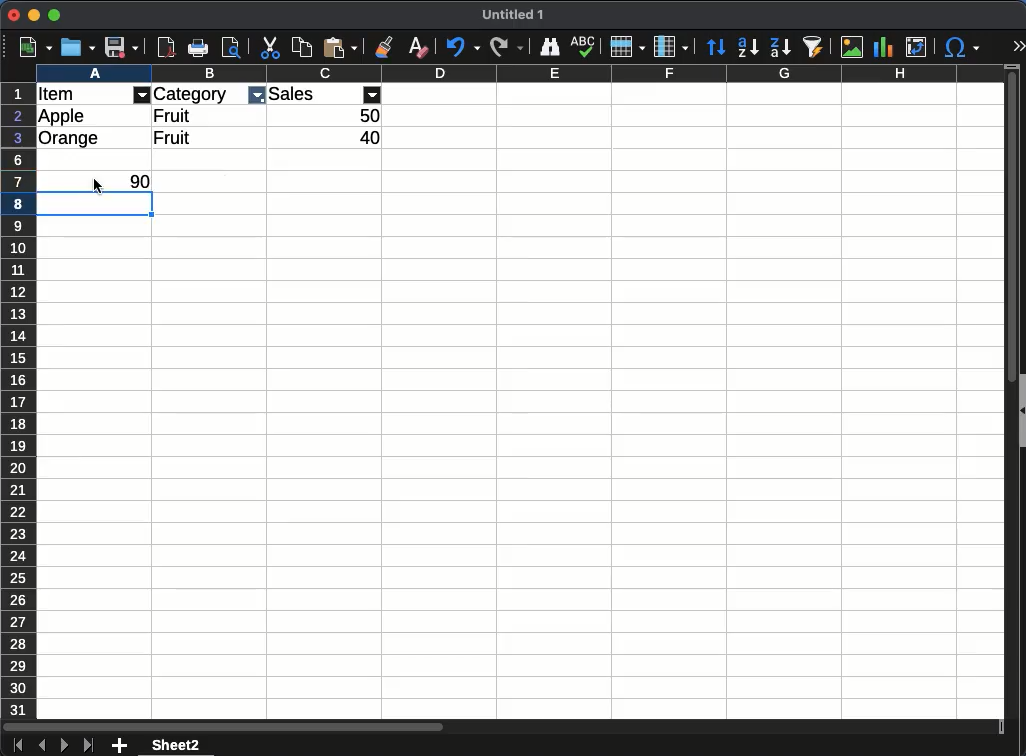 This screenshot has height=756, width=1026. What do you see at coordinates (179, 745) in the screenshot?
I see `sheet2` at bounding box center [179, 745].